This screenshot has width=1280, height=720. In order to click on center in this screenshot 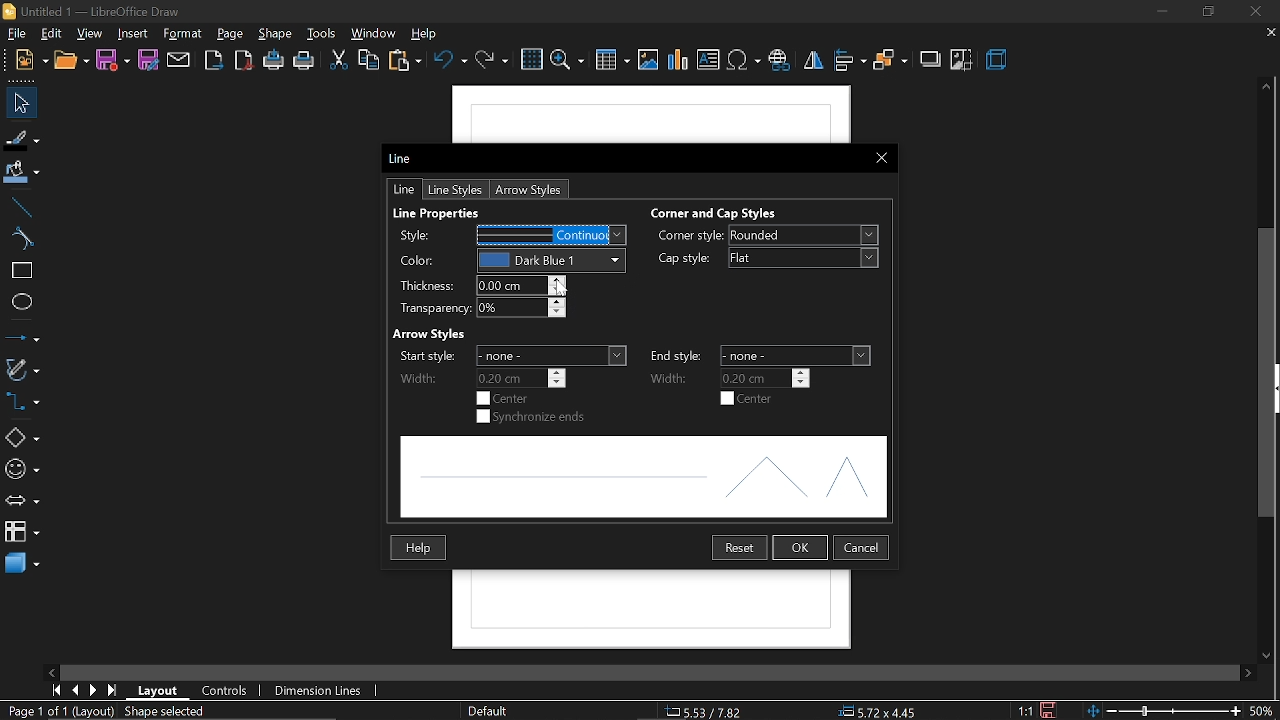, I will do `click(505, 398)`.